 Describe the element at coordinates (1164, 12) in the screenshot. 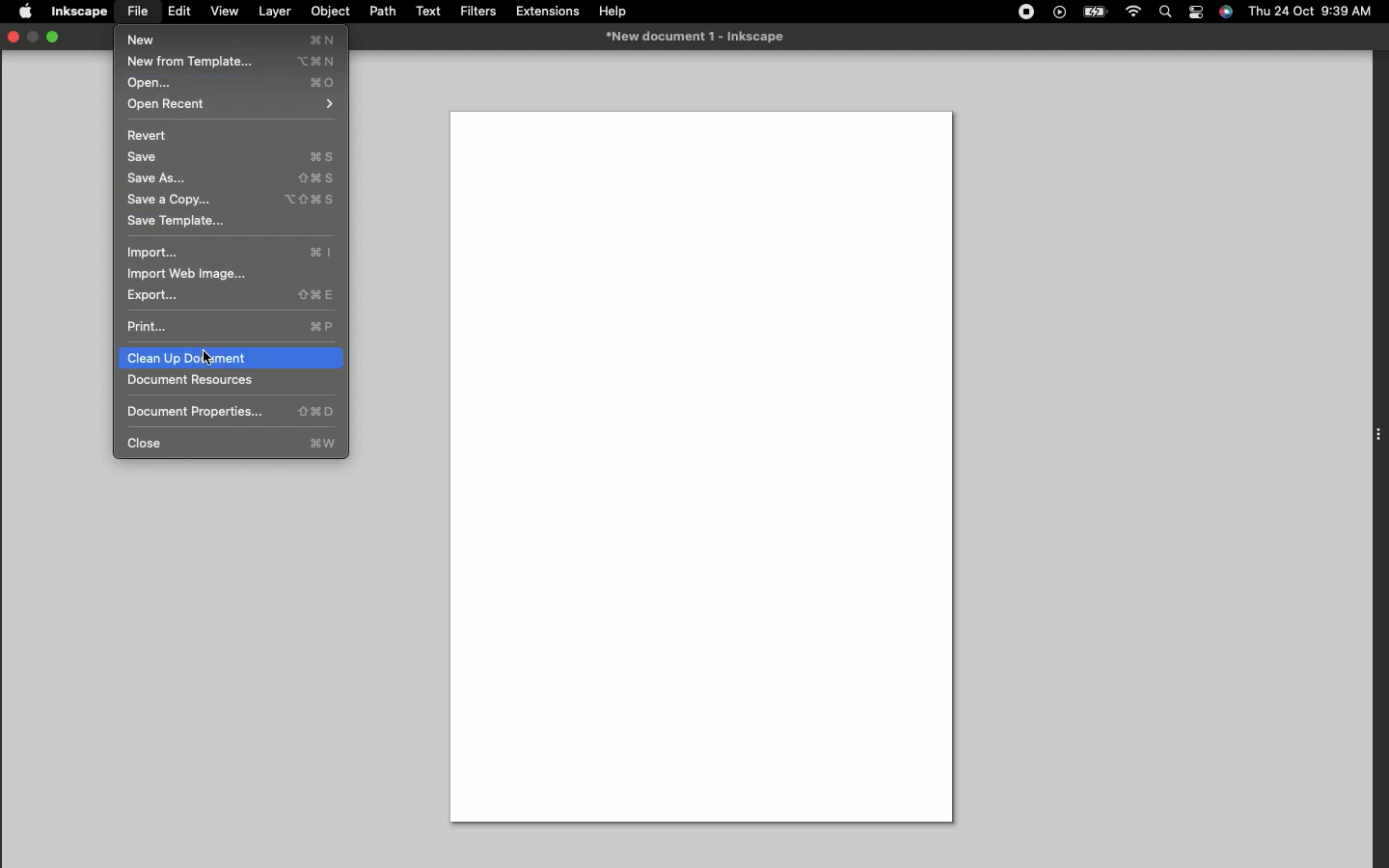

I see `Search` at that location.